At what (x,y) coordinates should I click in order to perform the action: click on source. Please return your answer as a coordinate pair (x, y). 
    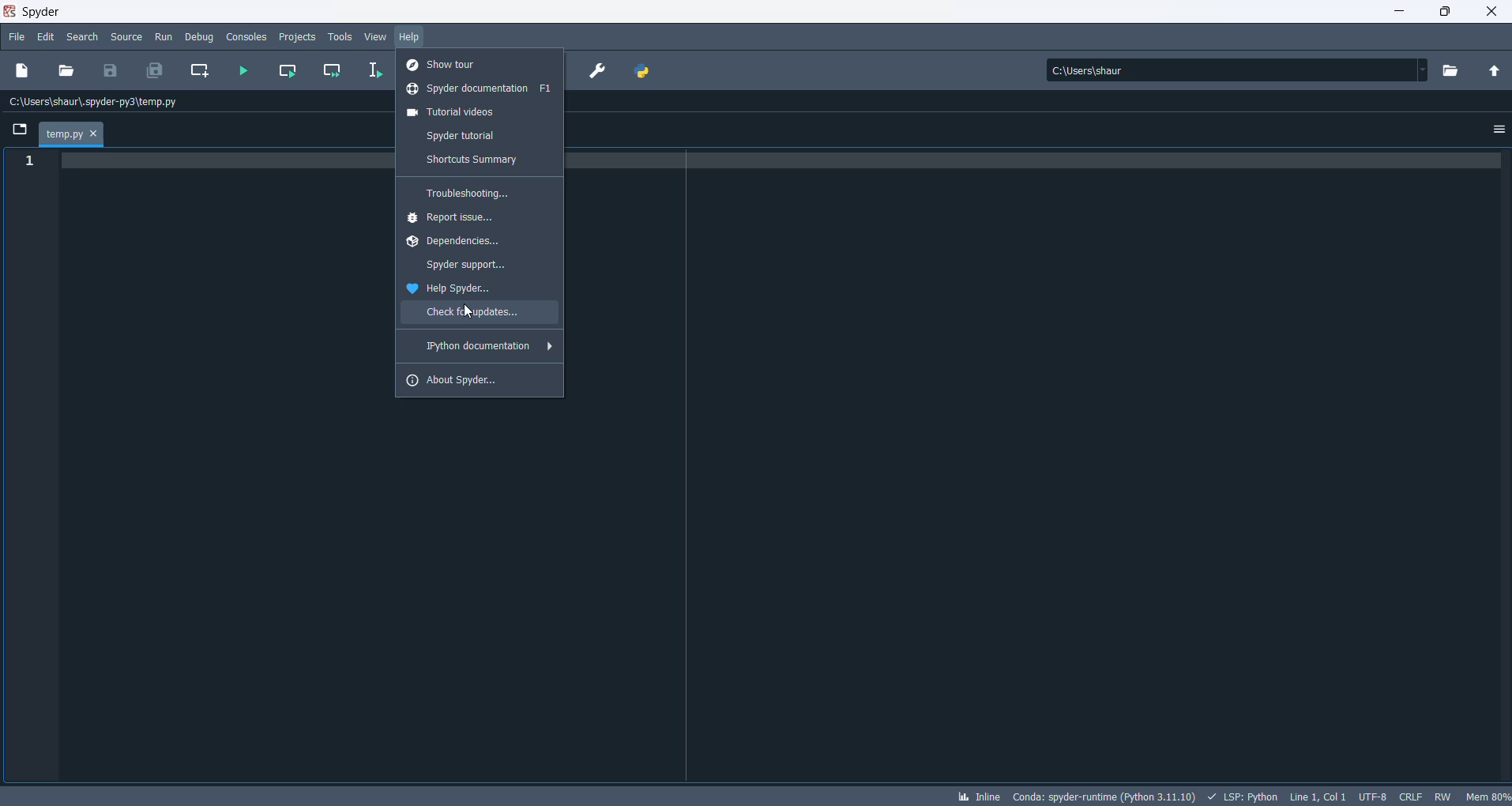
    Looking at the image, I should click on (126, 37).